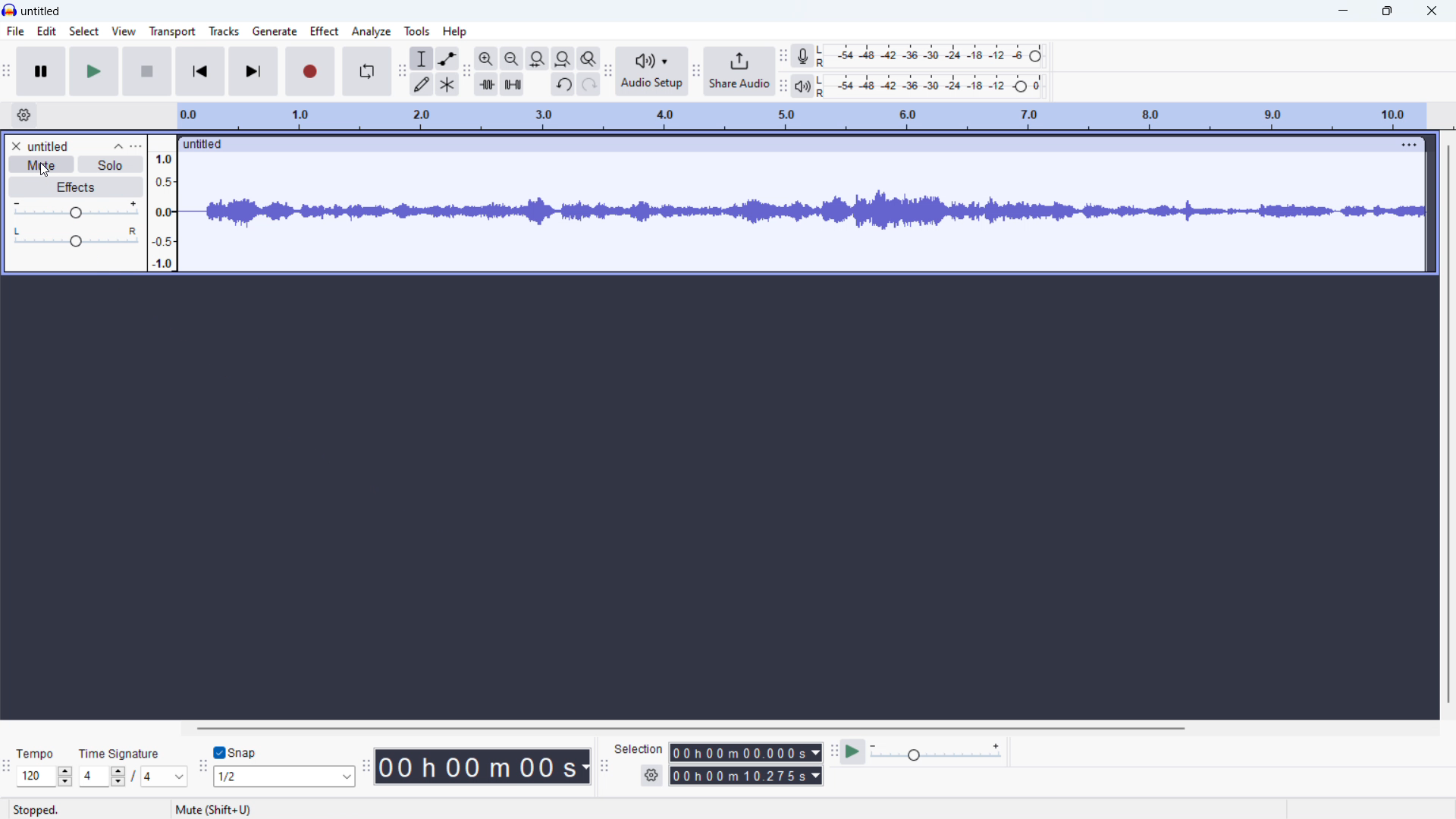 The height and width of the screenshot is (819, 1456). I want to click on horizontal scrollbar, so click(689, 728).